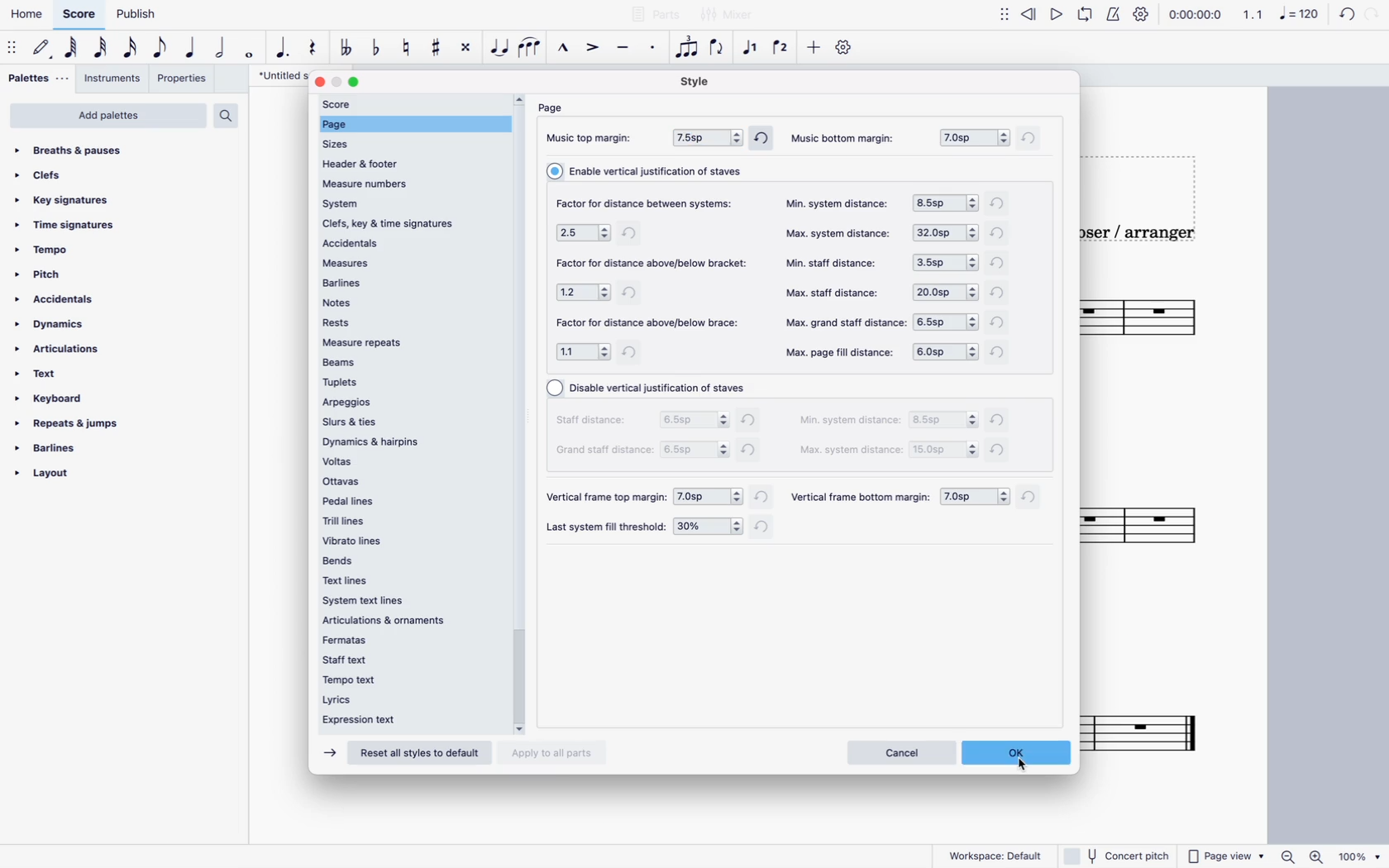 The image size is (1389, 868). What do you see at coordinates (814, 51) in the screenshot?
I see `more` at bounding box center [814, 51].